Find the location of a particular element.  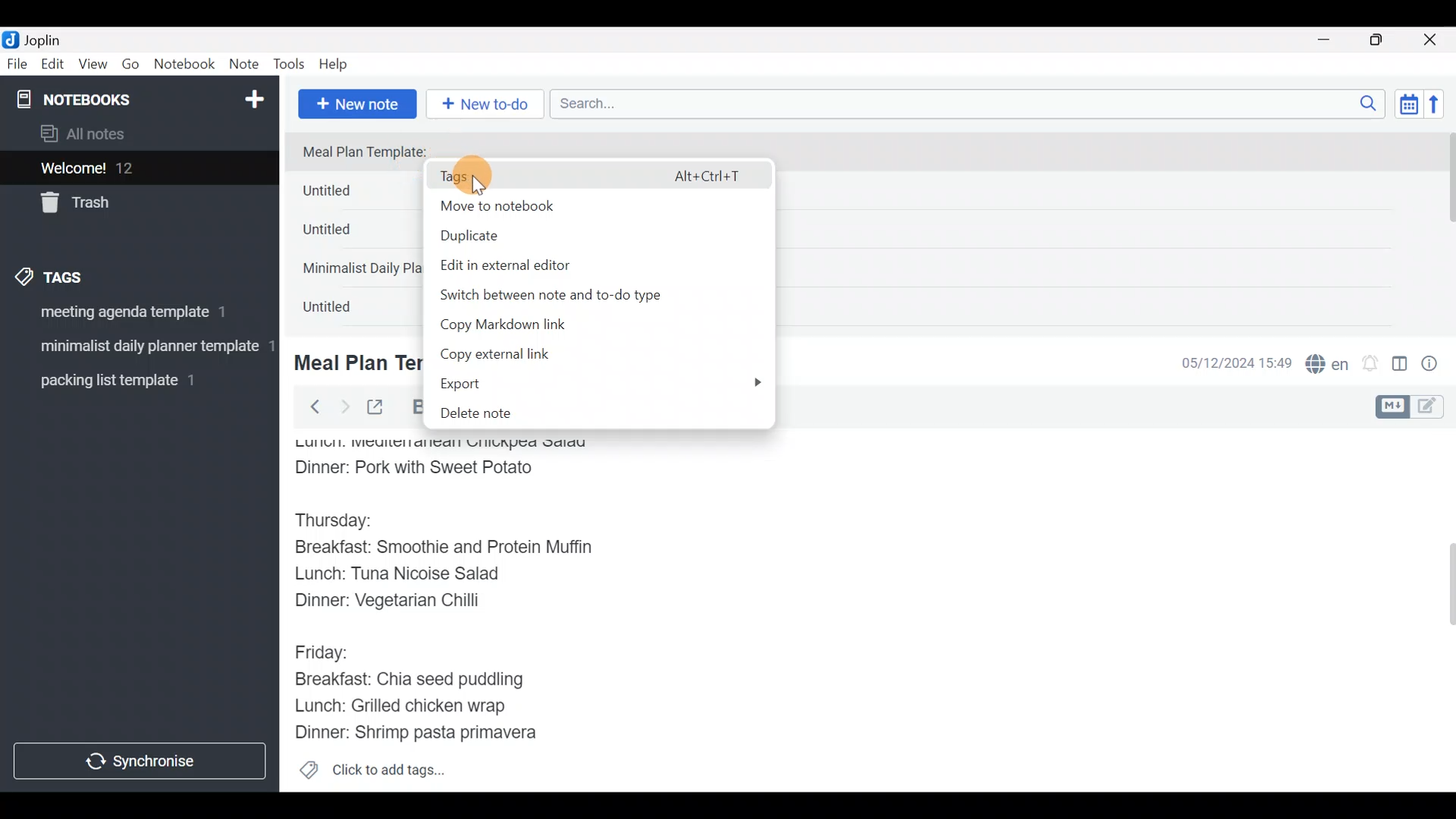

Dinner: Pork with Sweet Potato is located at coordinates (435, 468).